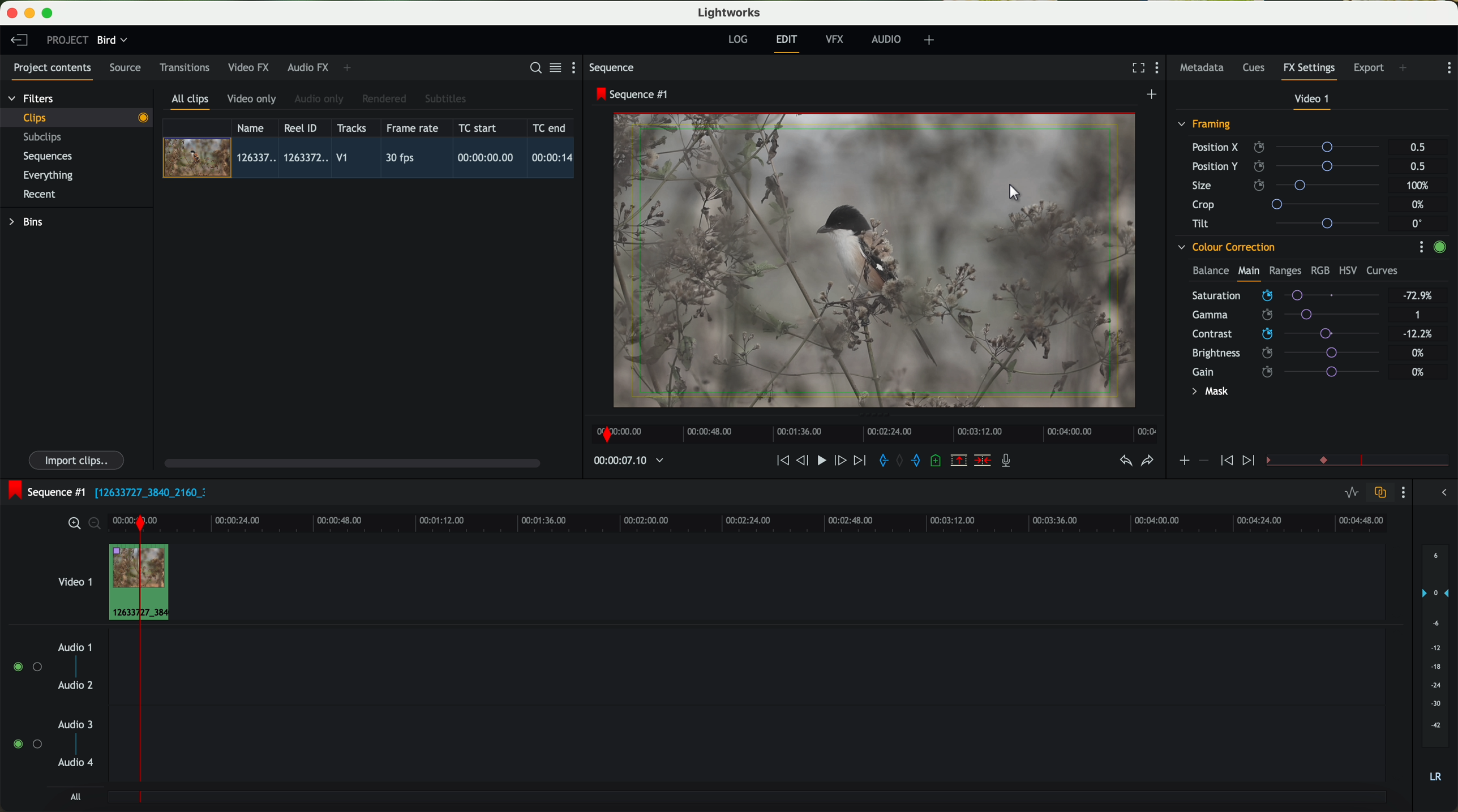 This screenshot has width=1458, height=812. What do you see at coordinates (1440, 493) in the screenshot?
I see `show/hide the full audio mix` at bounding box center [1440, 493].